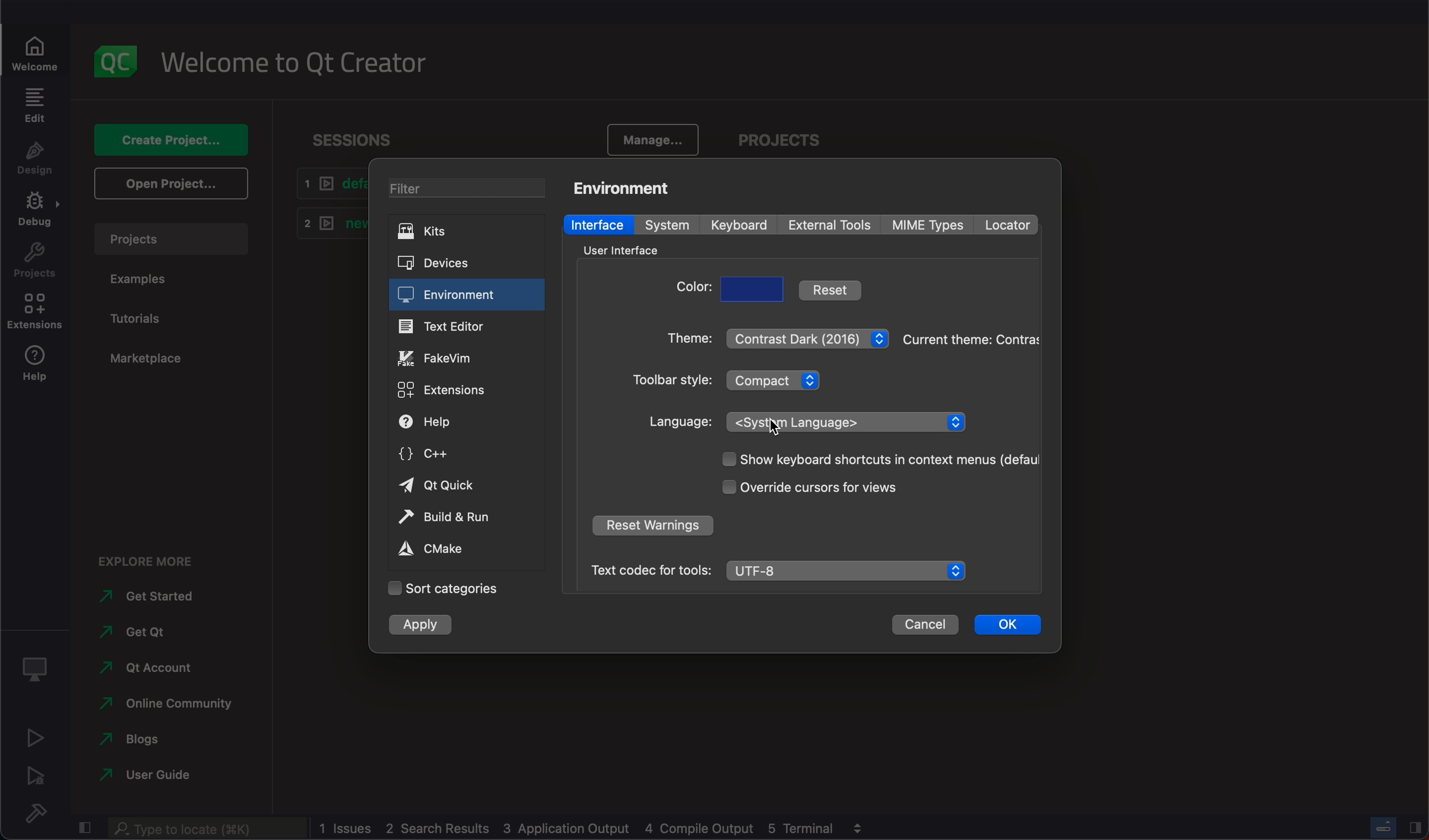 Image resolution: width=1429 pixels, height=840 pixels. What do you see at coordinates (772, 379) in the screenshot?
I see `toolbar style menu` at bounding box center [772, 379].